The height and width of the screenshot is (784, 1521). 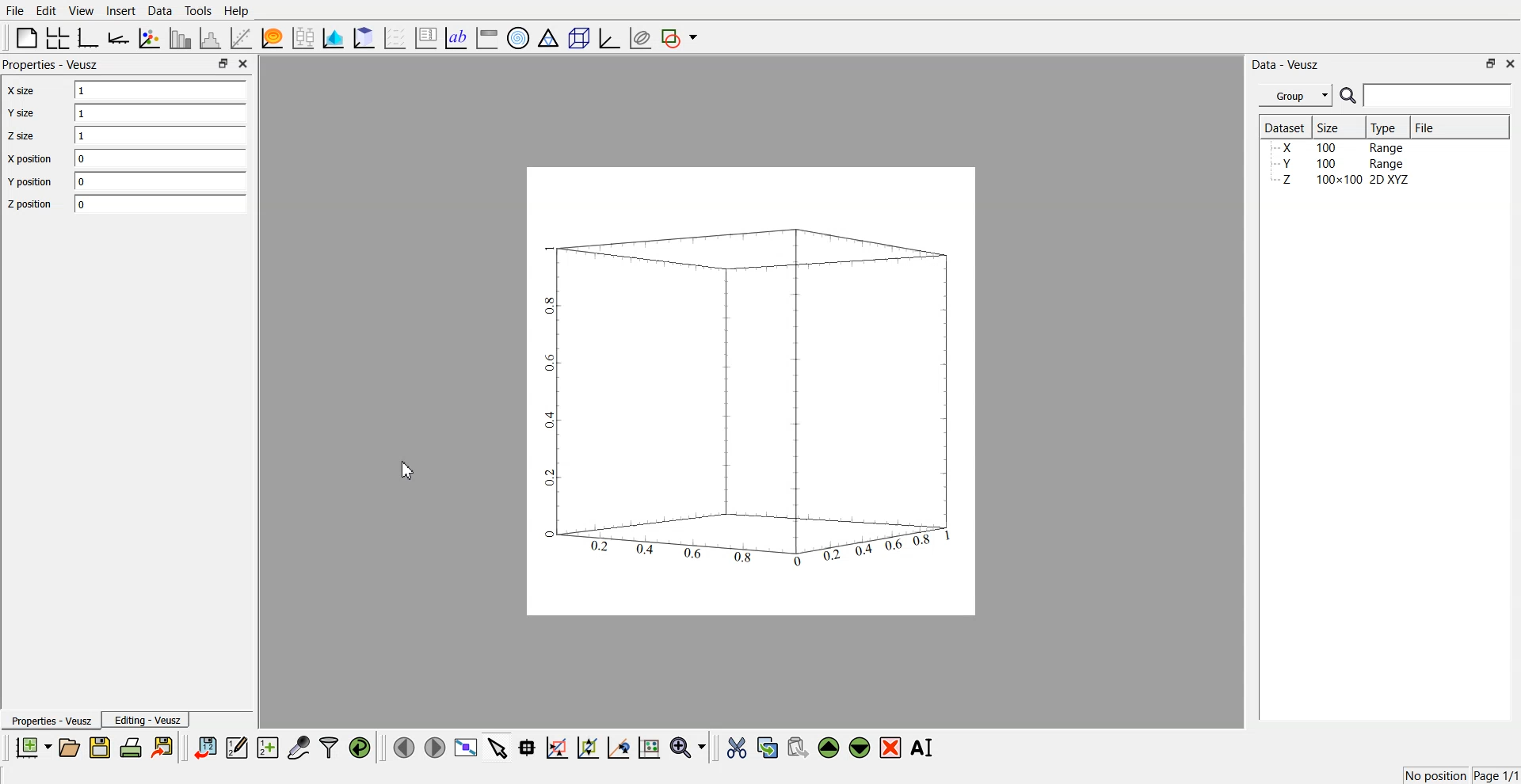 I want to click on Capture remote data, so click(x=299, y=747).